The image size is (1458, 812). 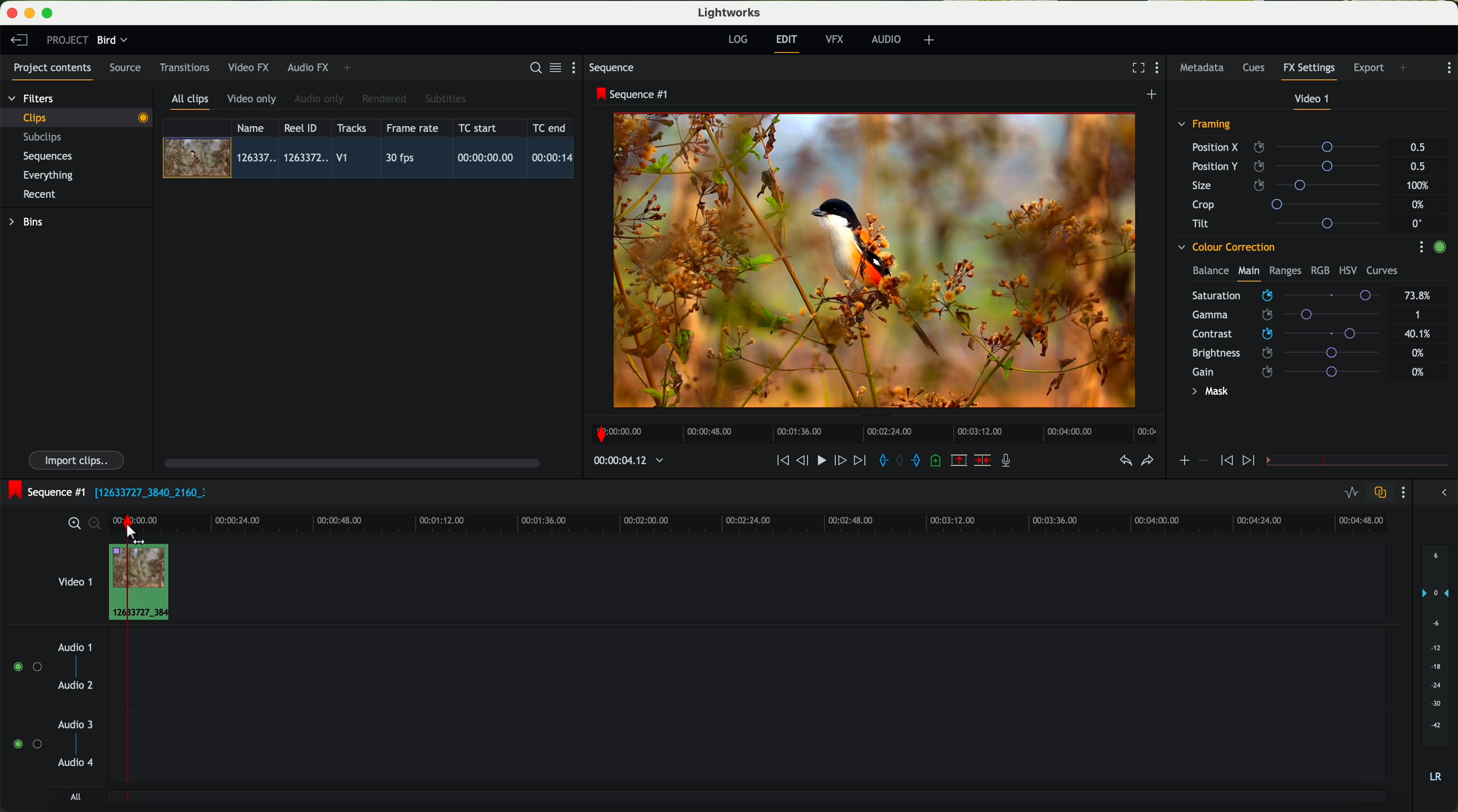 I want to click on 0%, so click(x=1420, y=205).